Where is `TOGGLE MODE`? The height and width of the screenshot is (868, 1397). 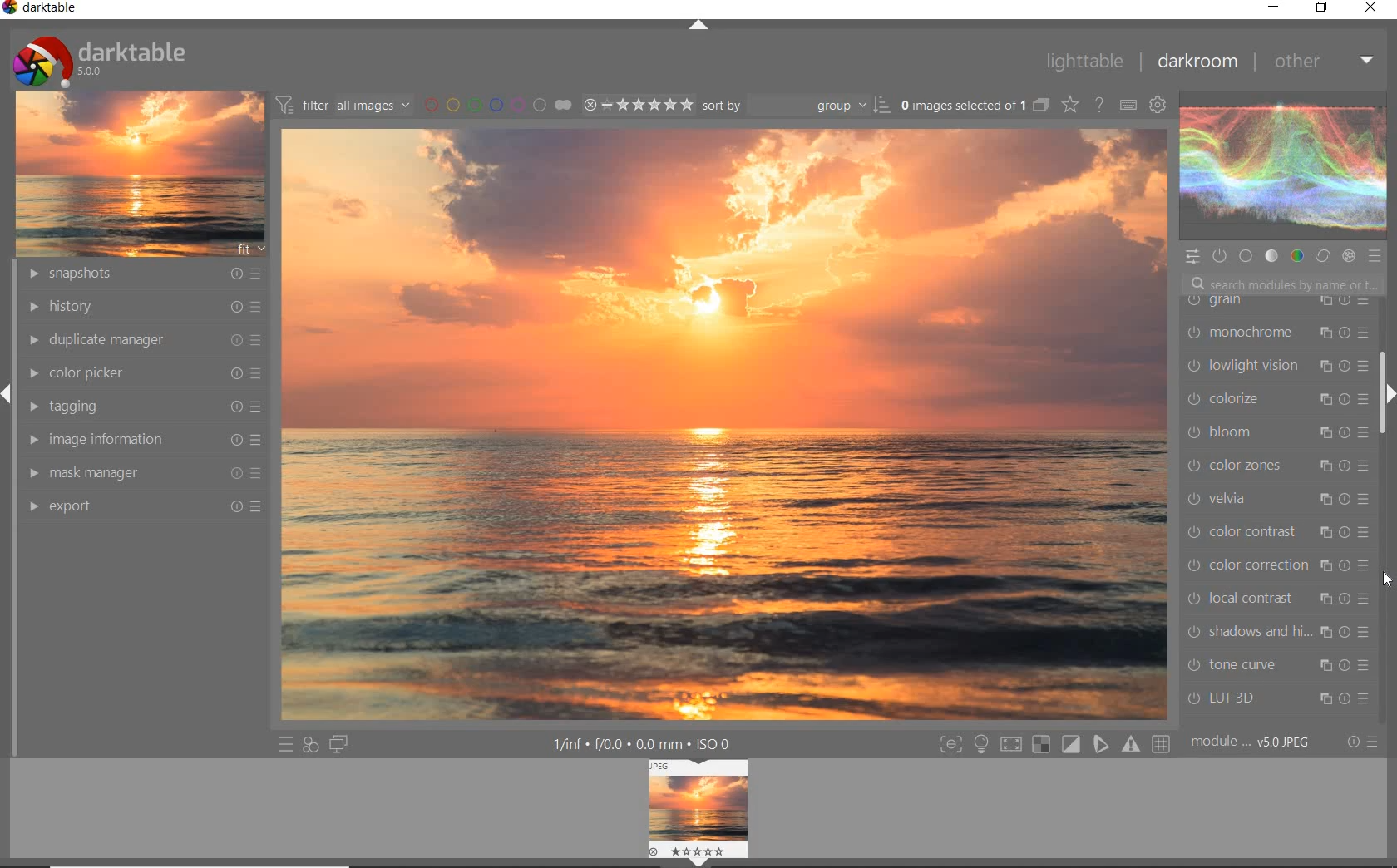 TOGGLE MODE is located at coordinates (1054, 744).